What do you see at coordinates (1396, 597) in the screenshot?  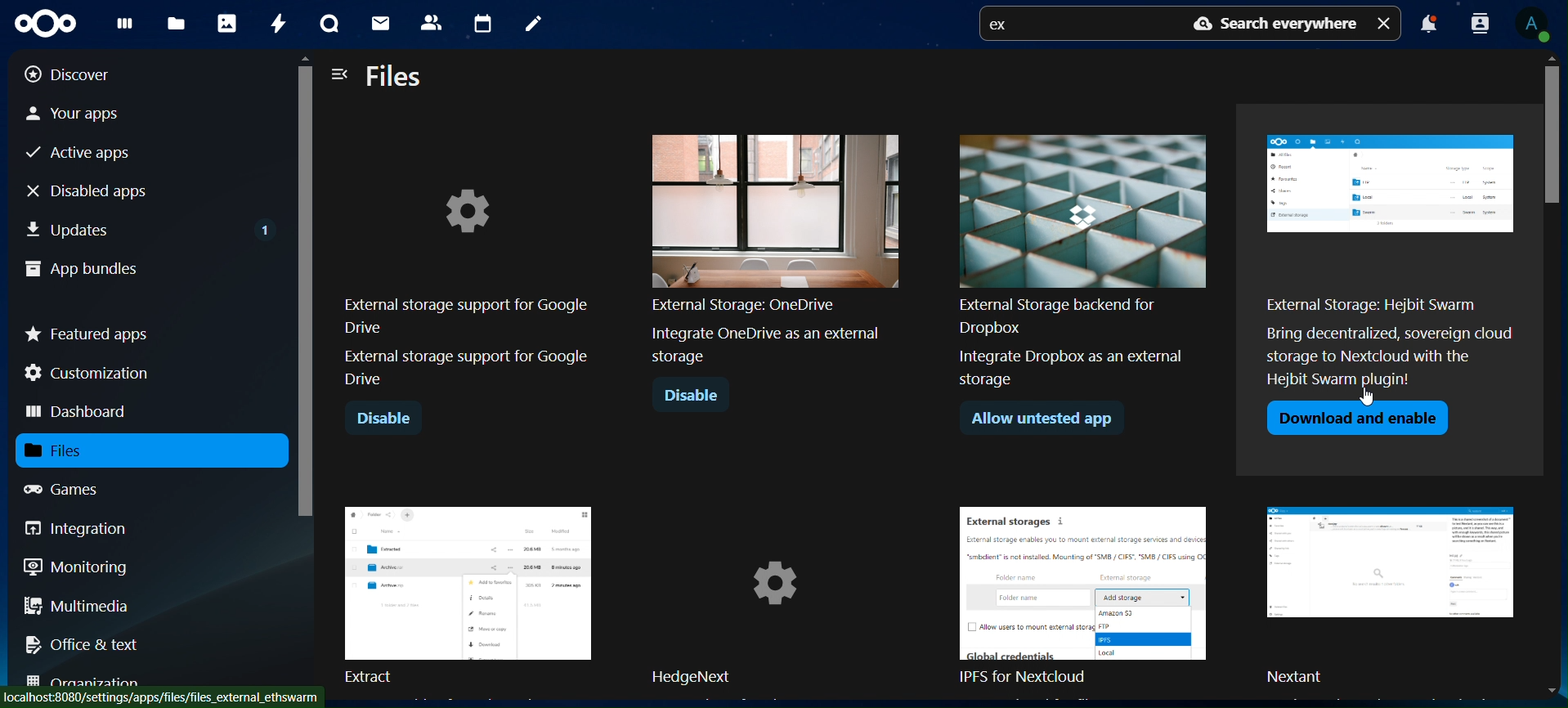 I see `Nextant` at bounding box center [1396, 597].